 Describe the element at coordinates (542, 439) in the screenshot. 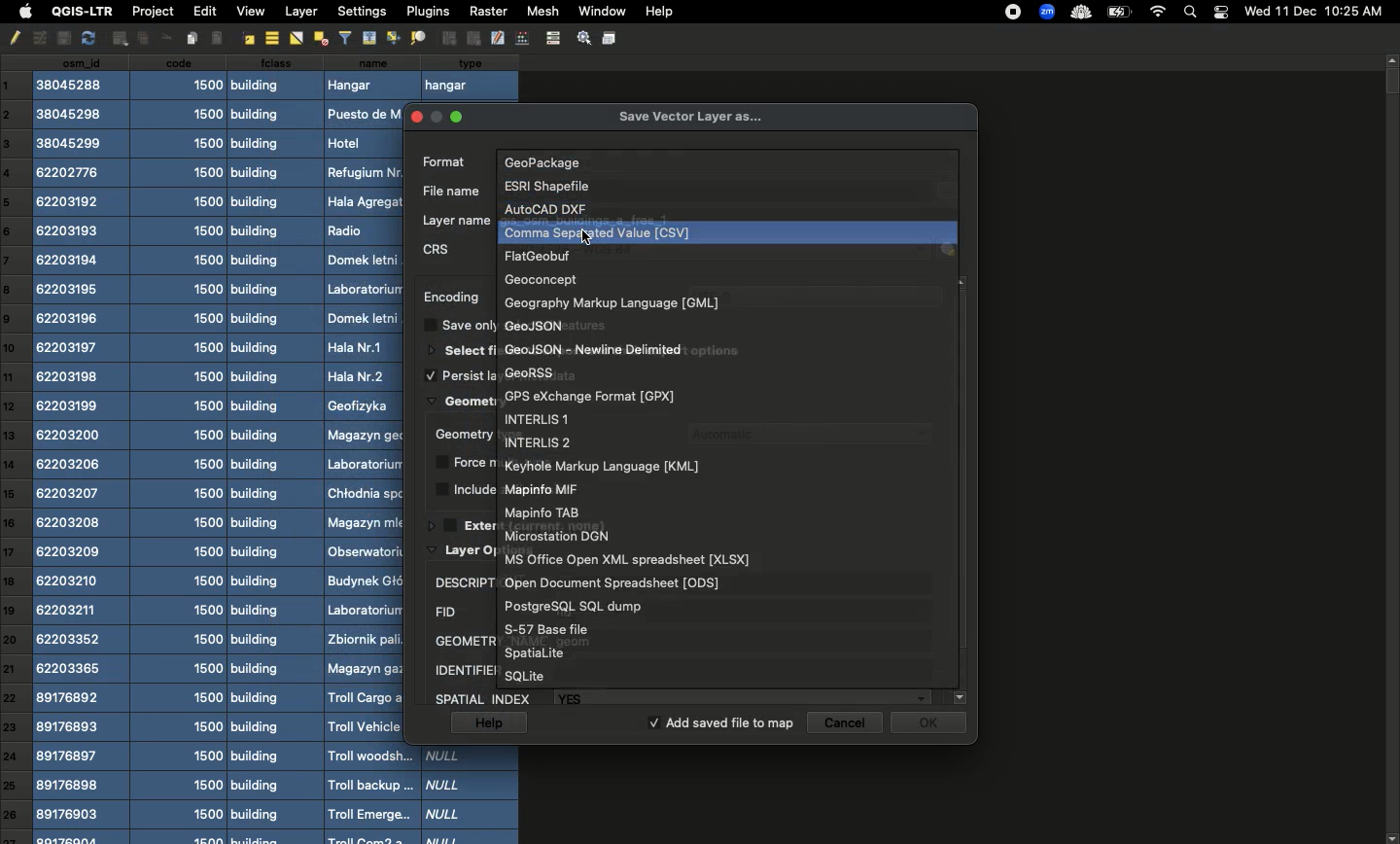

I see `Format` at that location.